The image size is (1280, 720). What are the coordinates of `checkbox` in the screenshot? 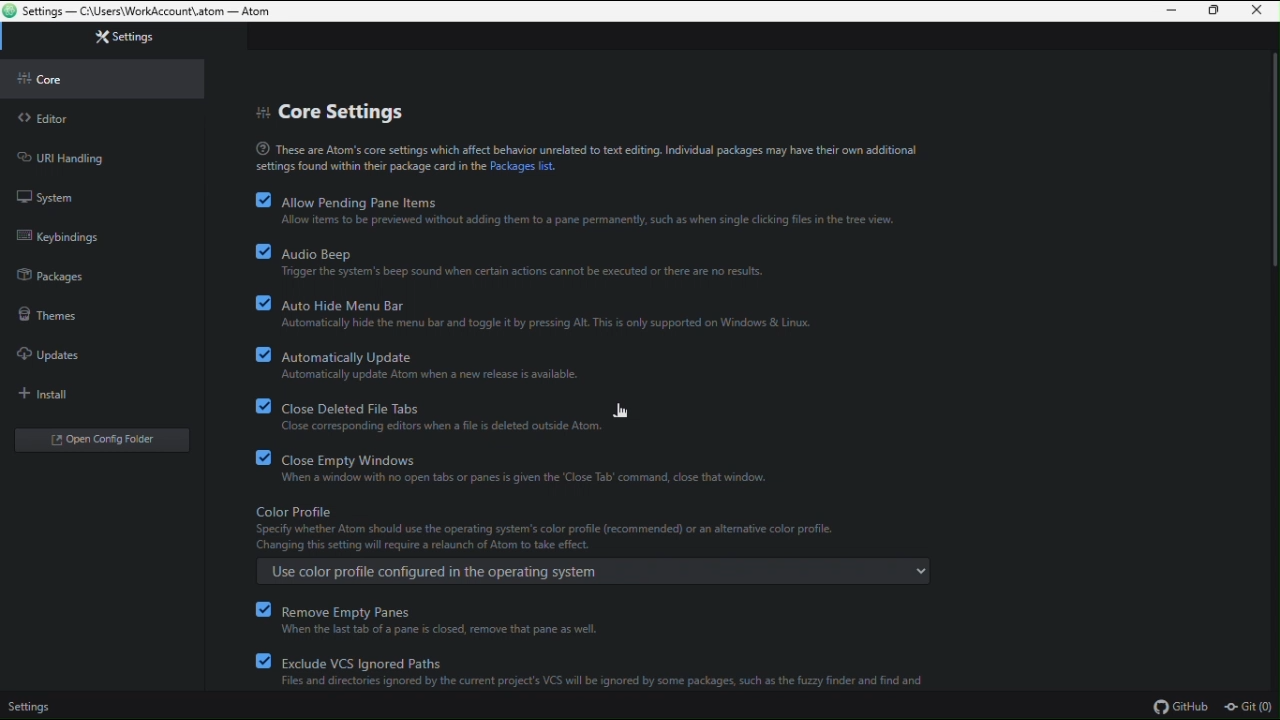 It's located at (261, 458).